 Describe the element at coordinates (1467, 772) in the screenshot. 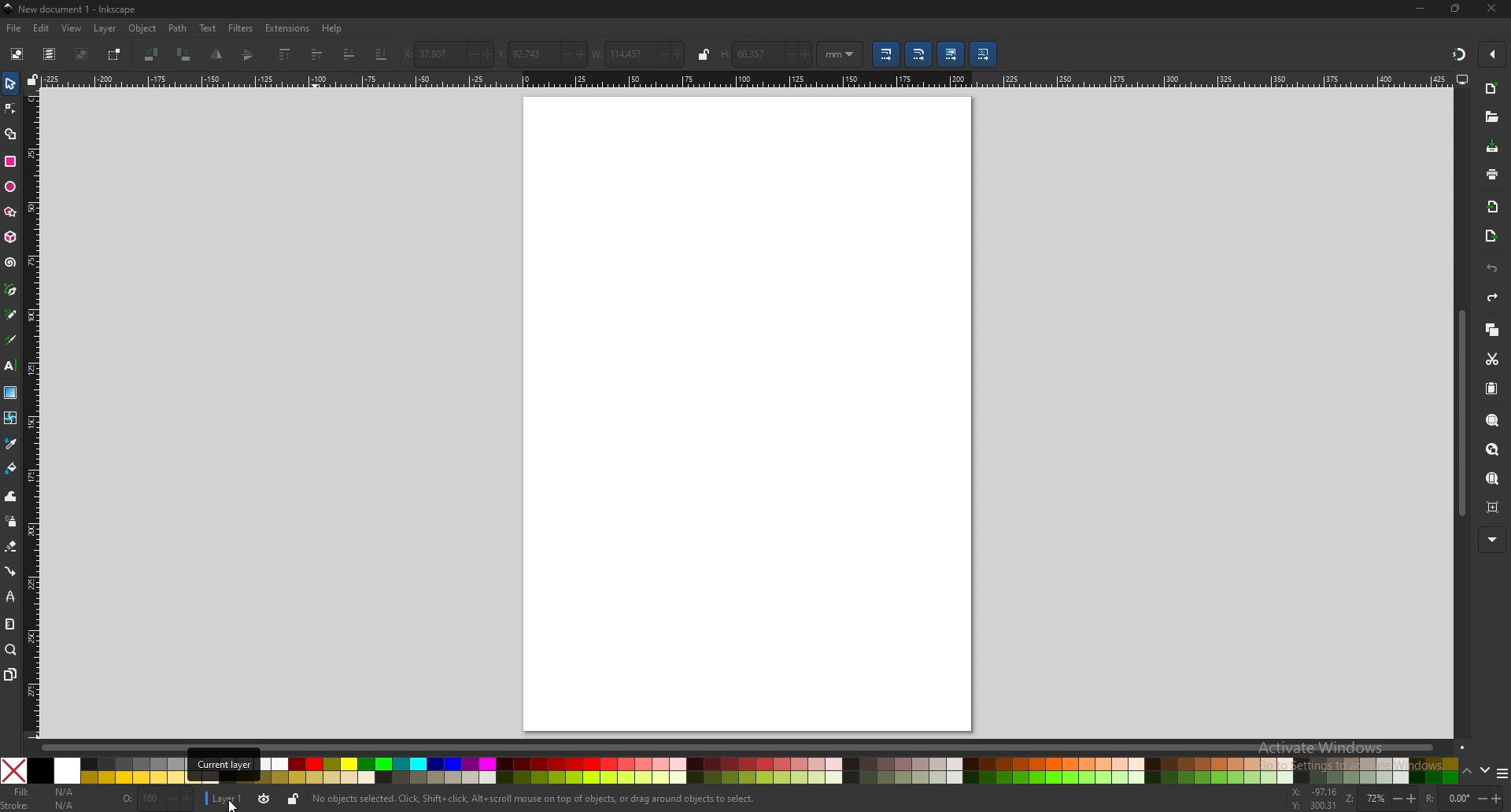

I see `up` at that location.